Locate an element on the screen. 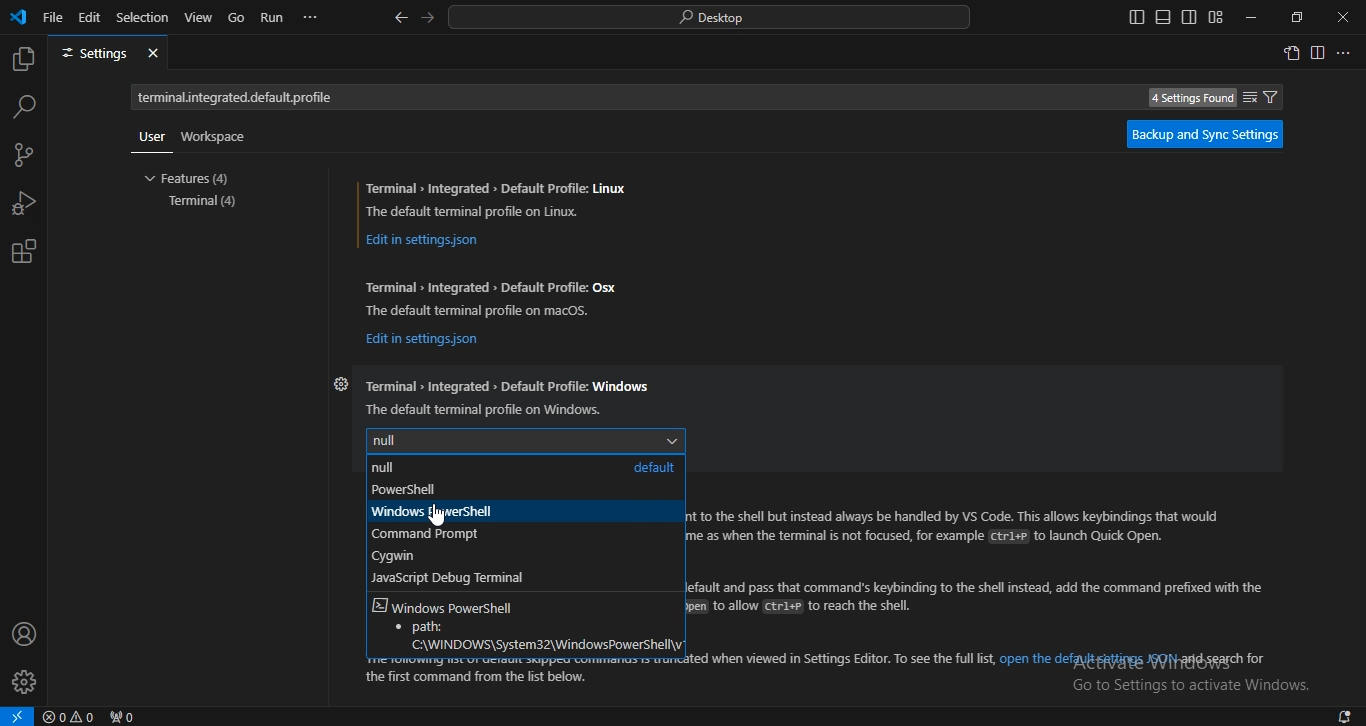 This screenshot has height=726, width=1366. 4 Settings Found is located at coordinates (1194, 98).